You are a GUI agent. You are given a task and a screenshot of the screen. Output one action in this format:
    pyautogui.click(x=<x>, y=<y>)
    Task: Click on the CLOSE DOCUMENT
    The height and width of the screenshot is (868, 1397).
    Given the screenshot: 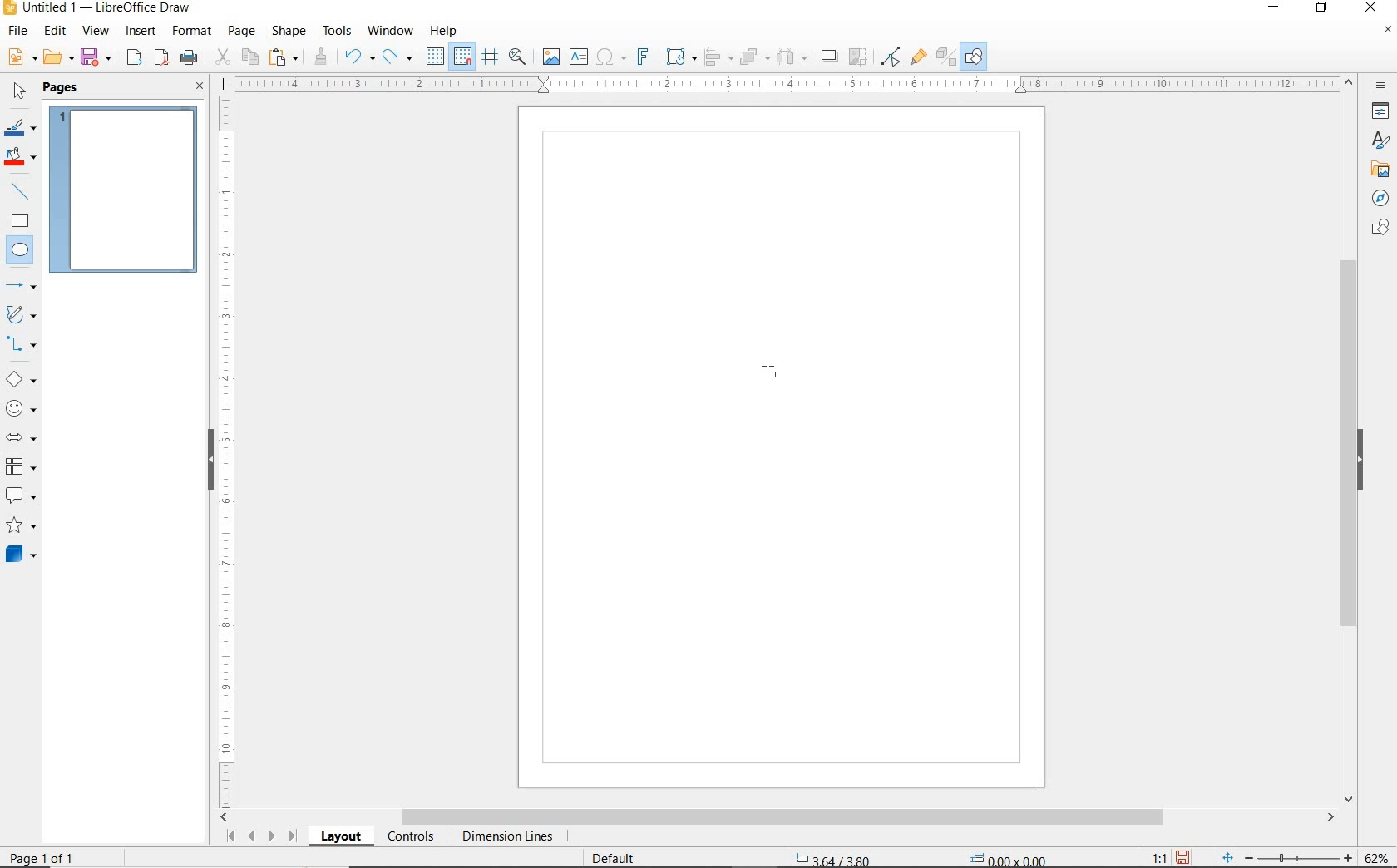 What is the action you would take?
    pyautogui.click(x=1387, y=32)
    